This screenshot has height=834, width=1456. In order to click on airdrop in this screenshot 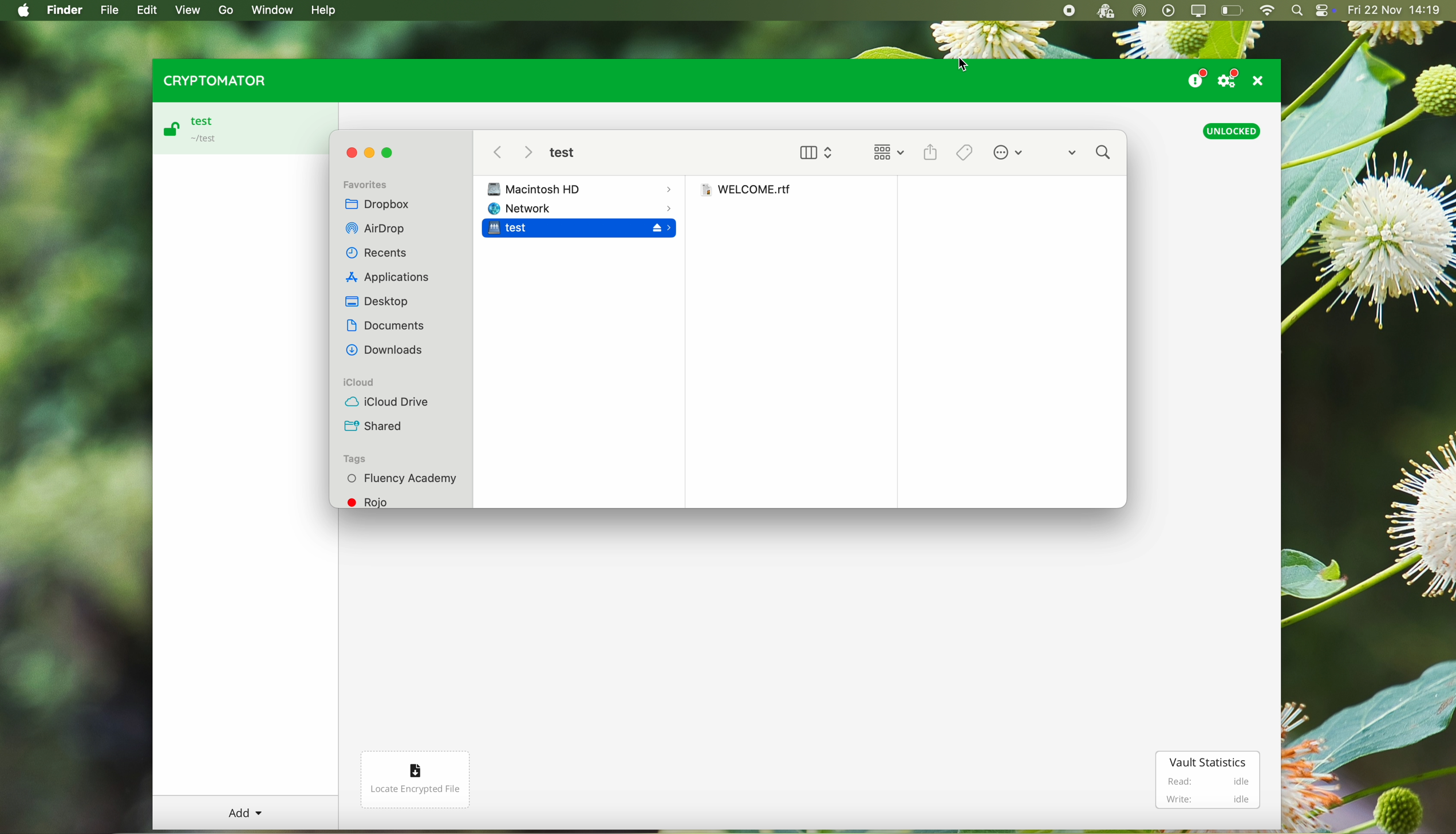, I will do `click(1140, 11)`.